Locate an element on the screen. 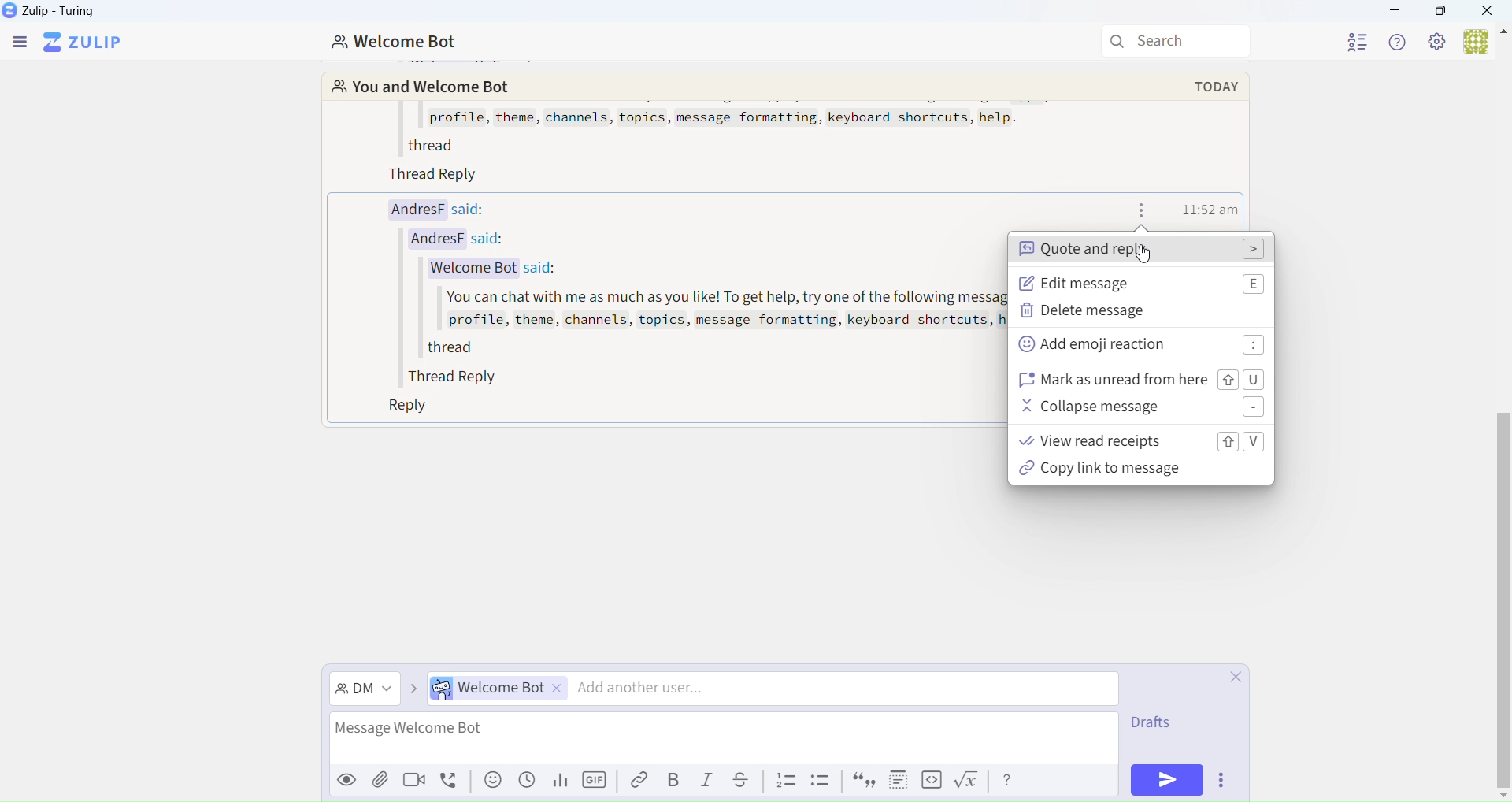  spoiler is located at coordinates (899, 782).